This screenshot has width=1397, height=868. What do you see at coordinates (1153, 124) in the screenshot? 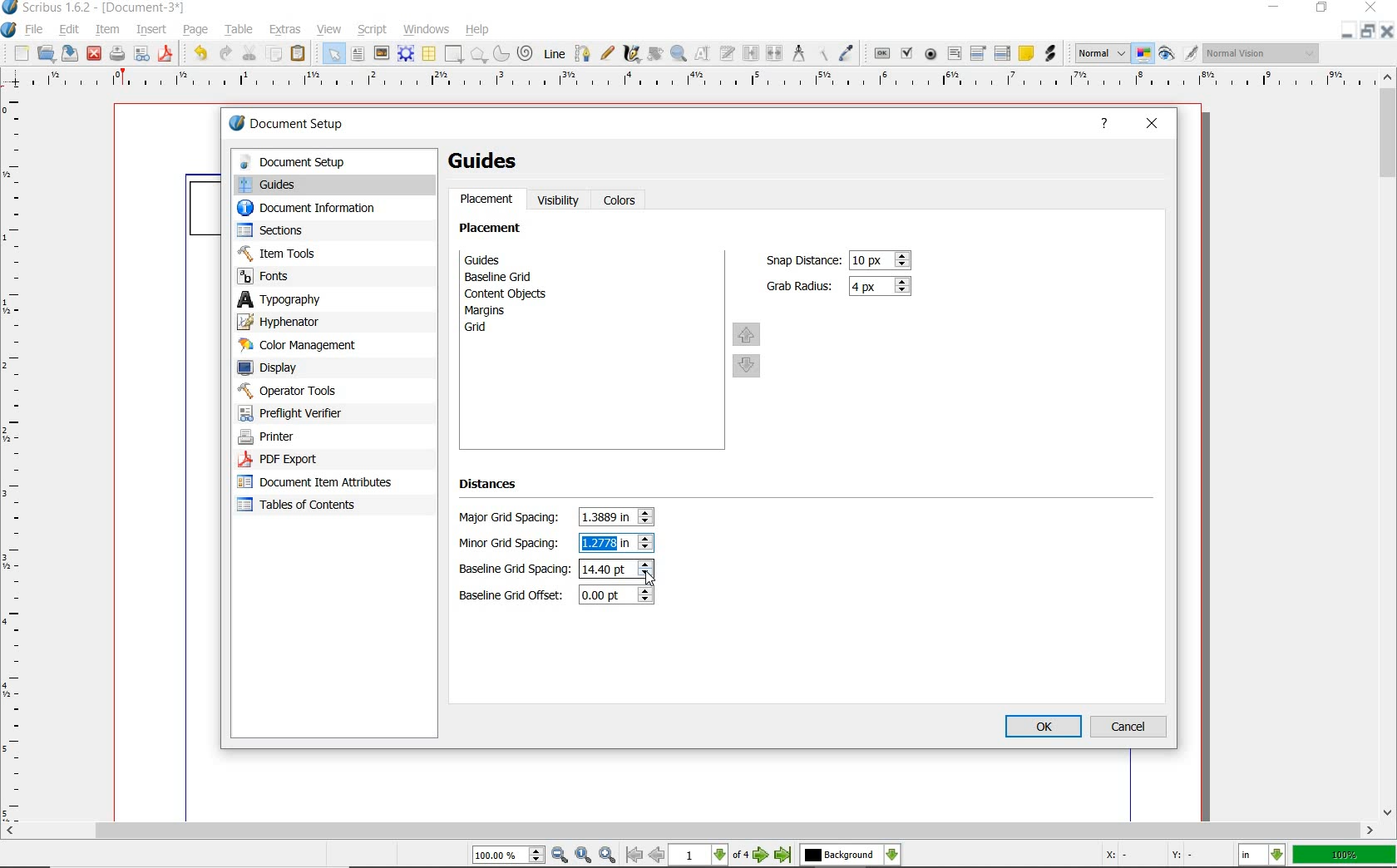
I see `close` at bounding box center [1153, 124].